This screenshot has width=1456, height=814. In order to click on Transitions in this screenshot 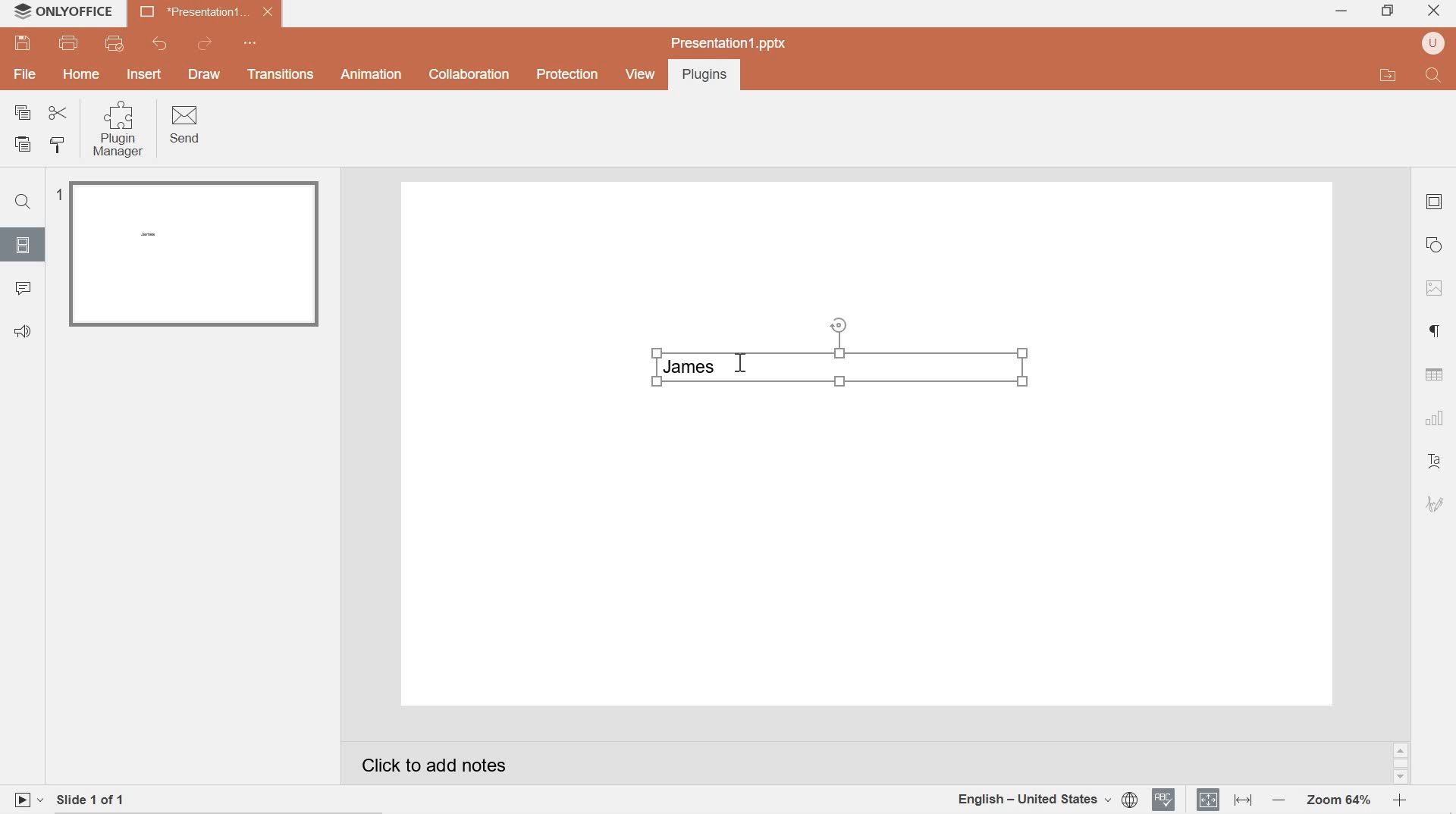, I will do `click(281, 75)`.